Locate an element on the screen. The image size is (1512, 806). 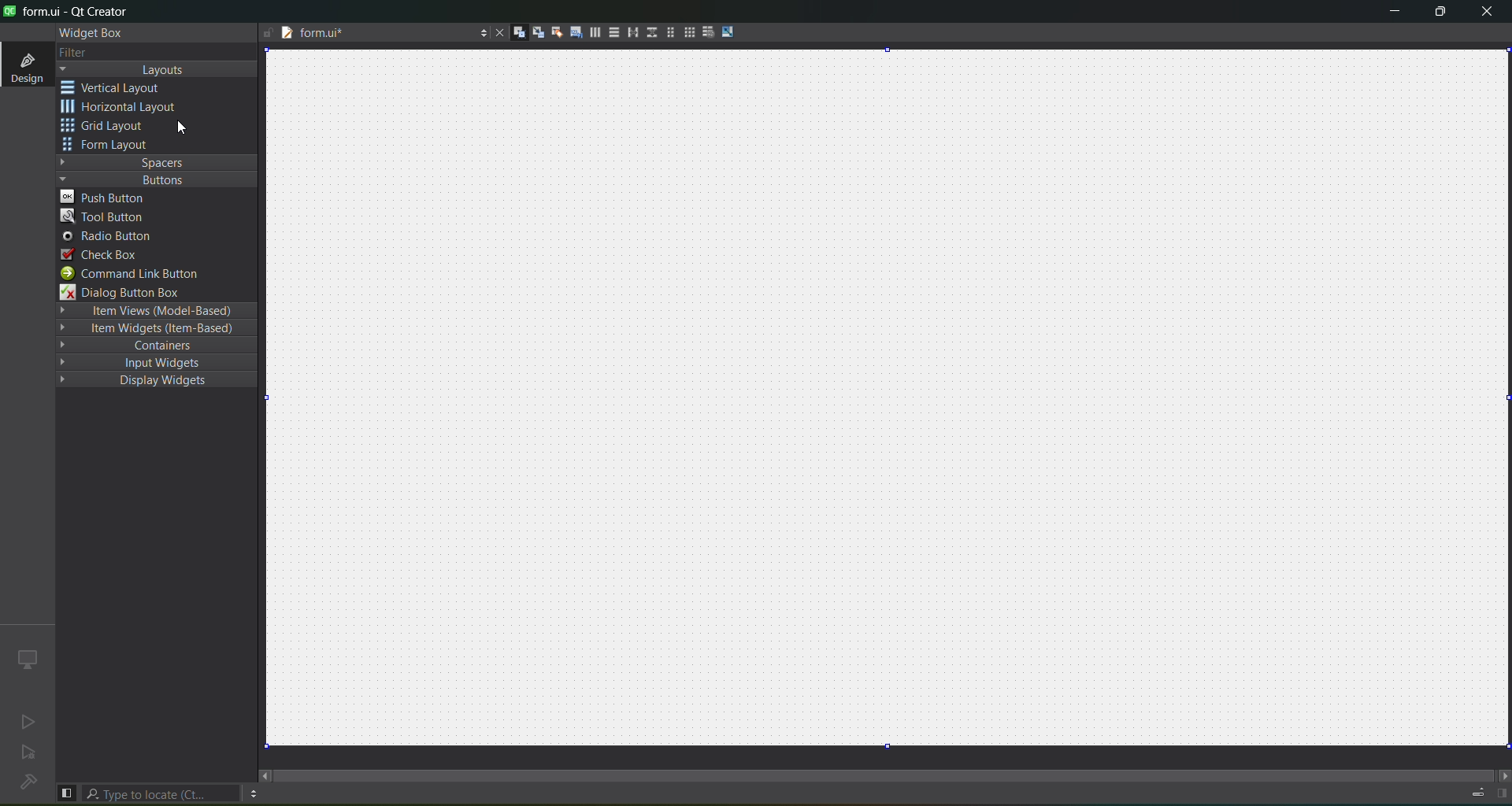
Cursor is located at coordinates (180, 129).